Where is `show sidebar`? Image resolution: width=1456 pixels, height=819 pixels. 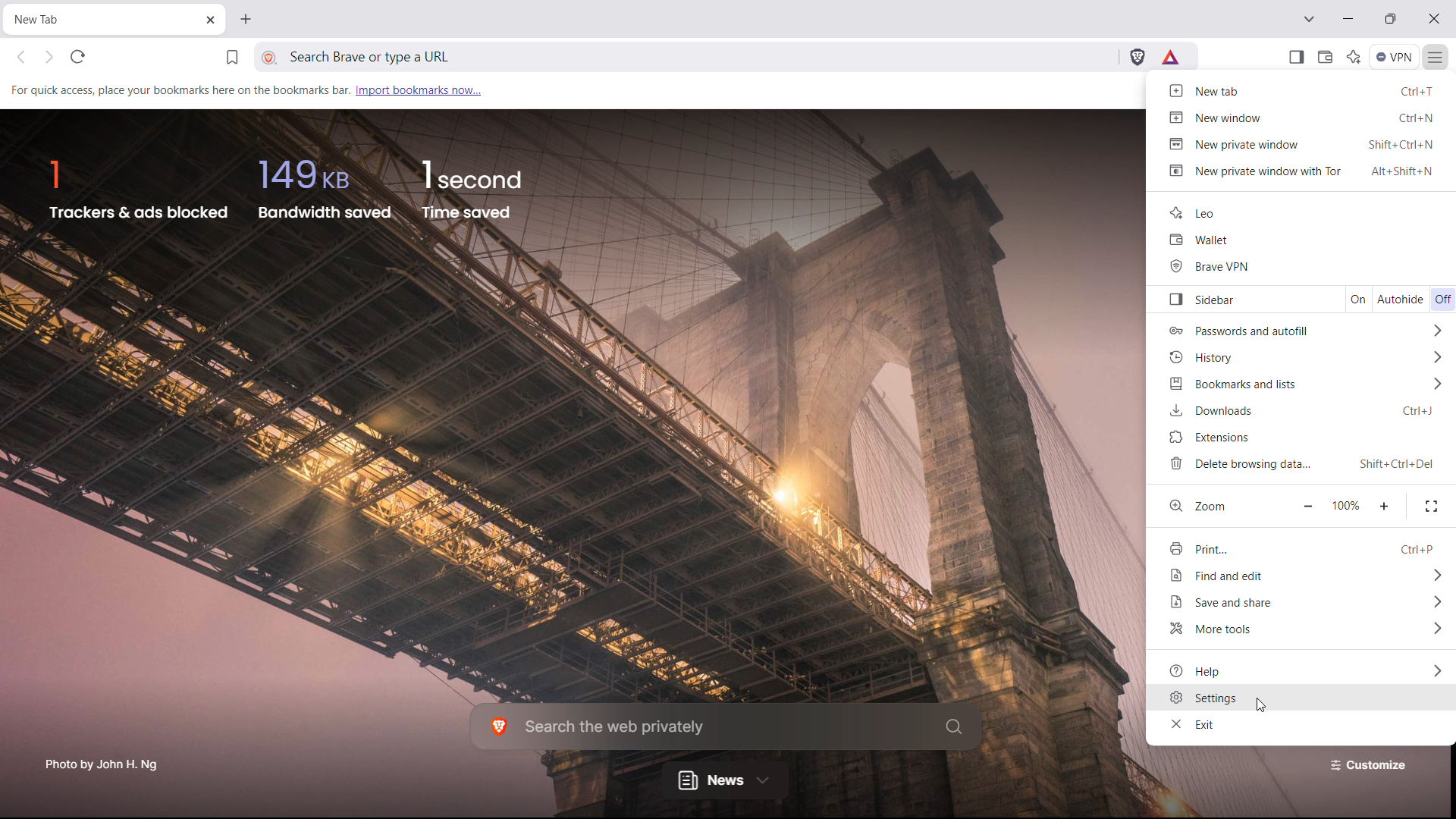
show sidebar is located at coordinates (1296, 56).